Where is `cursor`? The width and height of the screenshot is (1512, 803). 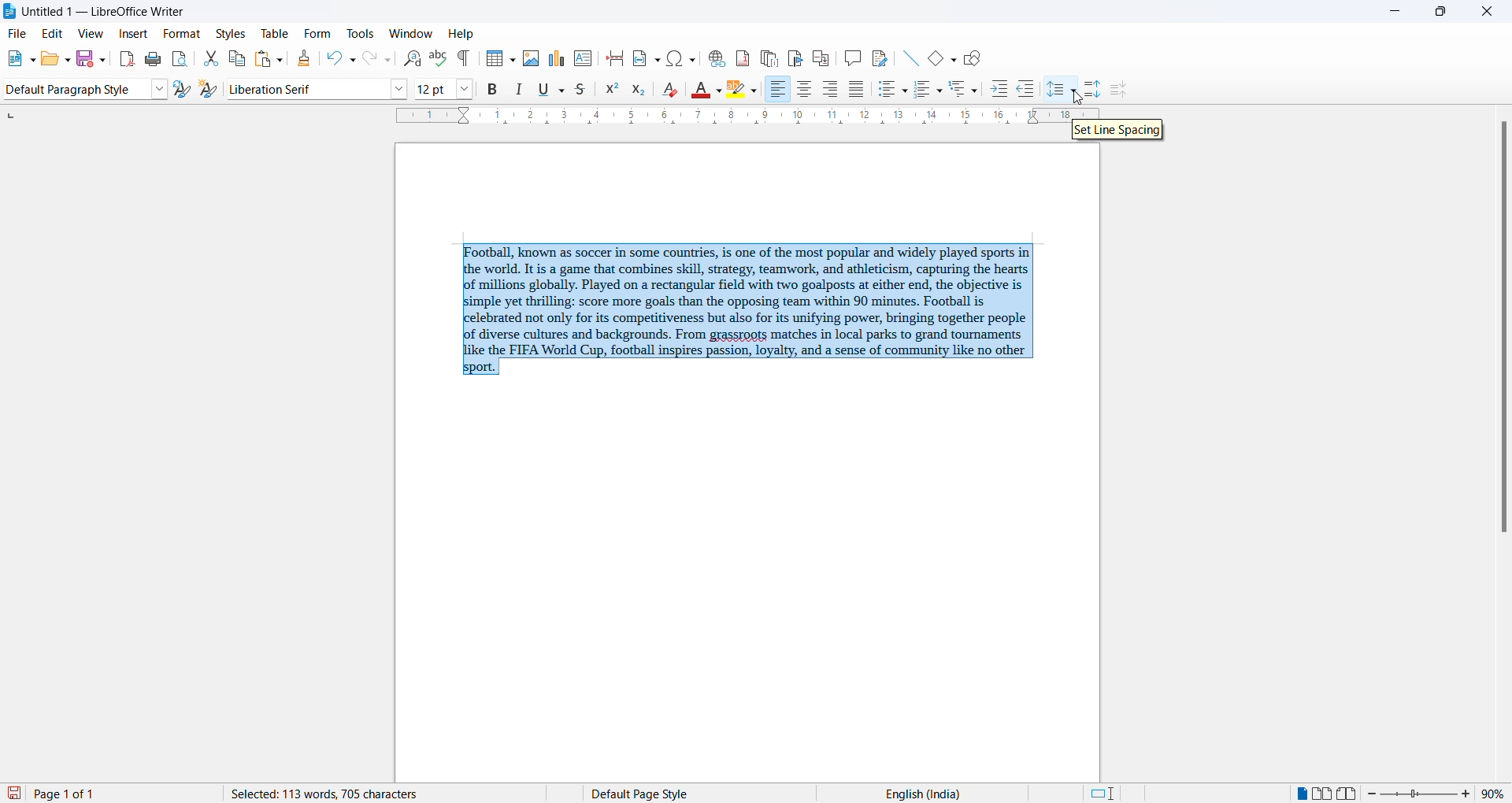
cursor is located at coordinates (1080, 98).